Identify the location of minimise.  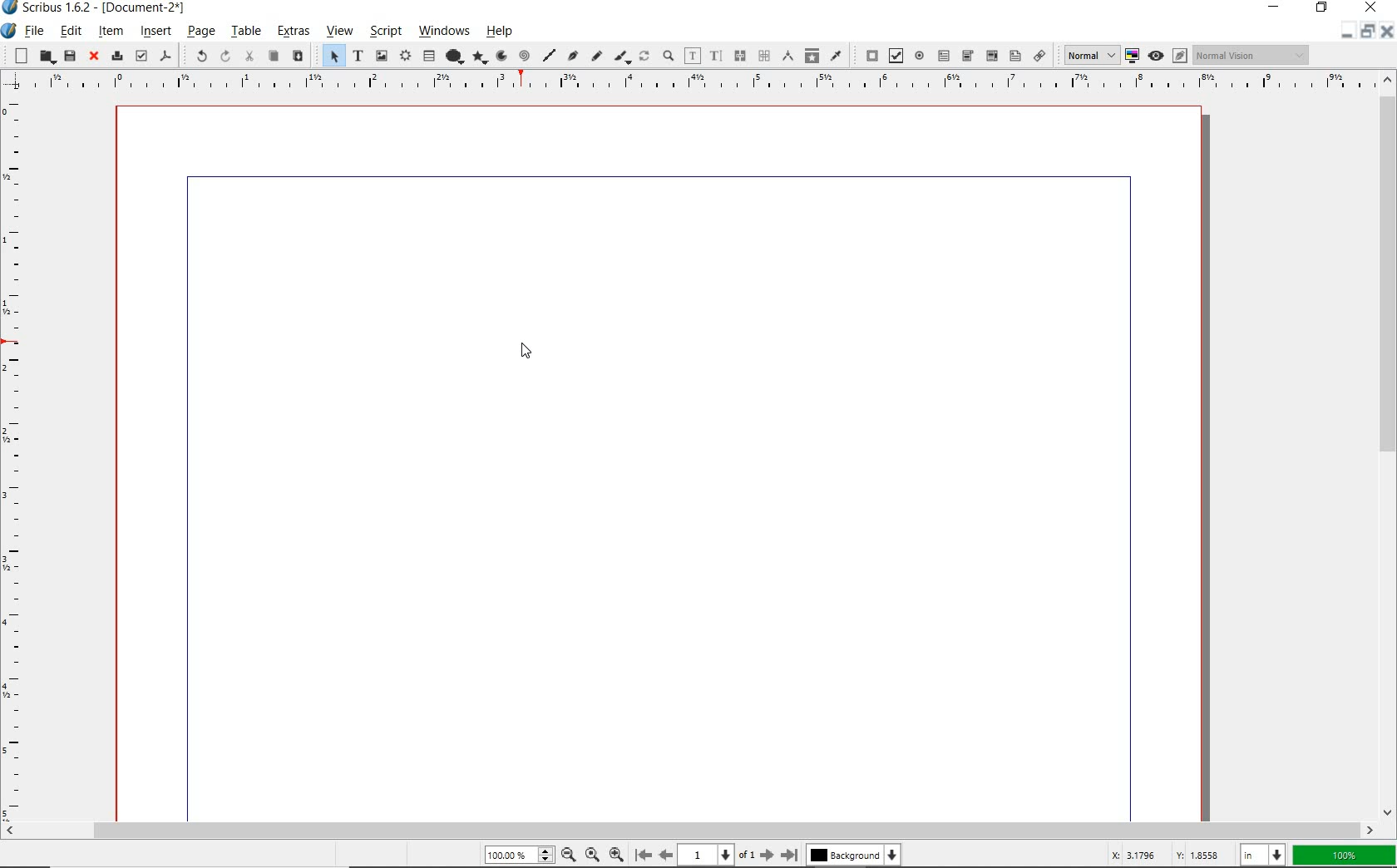
(1343, 32).